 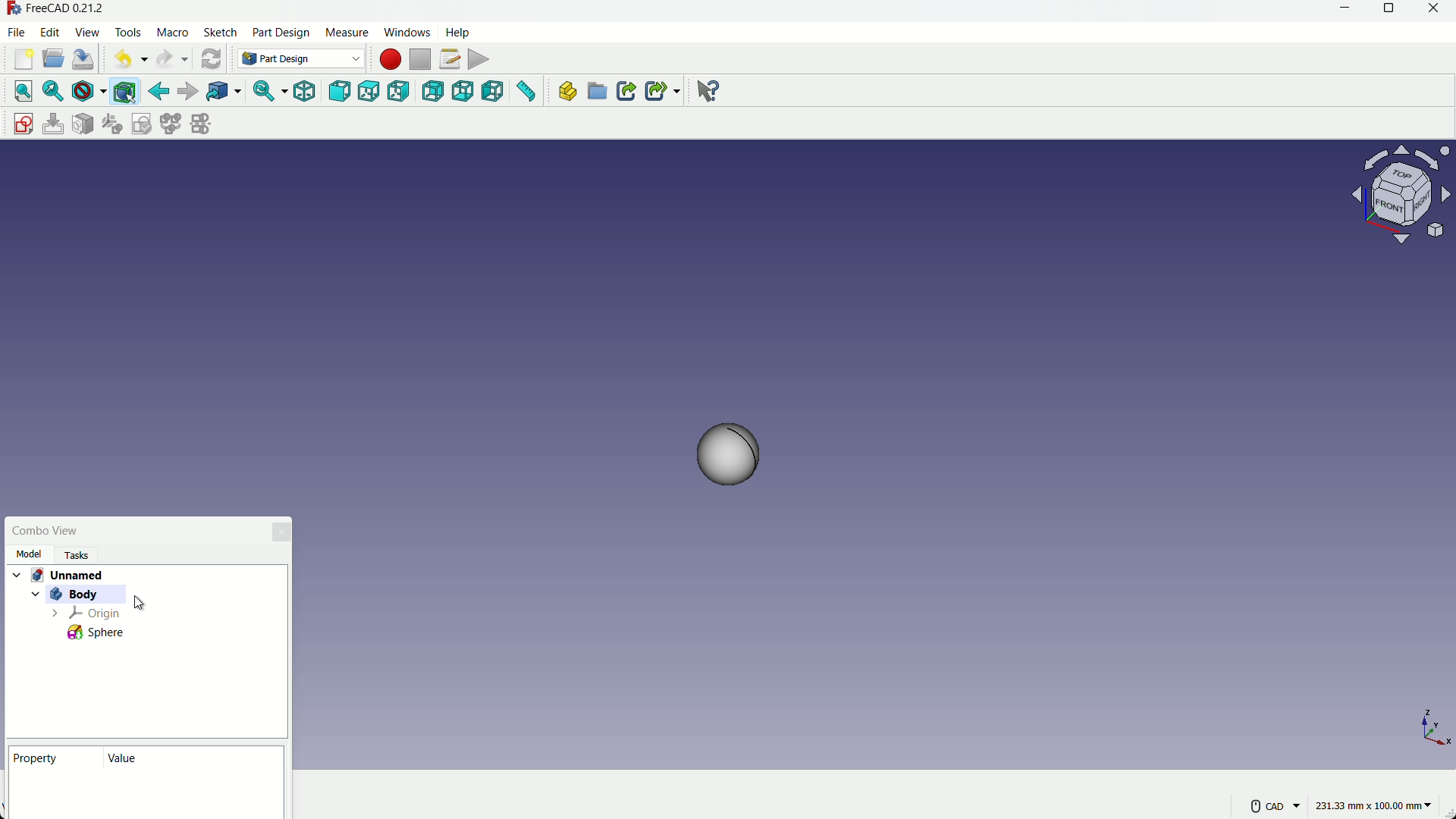 I want to click on start macros, so click(x=391, y=60).